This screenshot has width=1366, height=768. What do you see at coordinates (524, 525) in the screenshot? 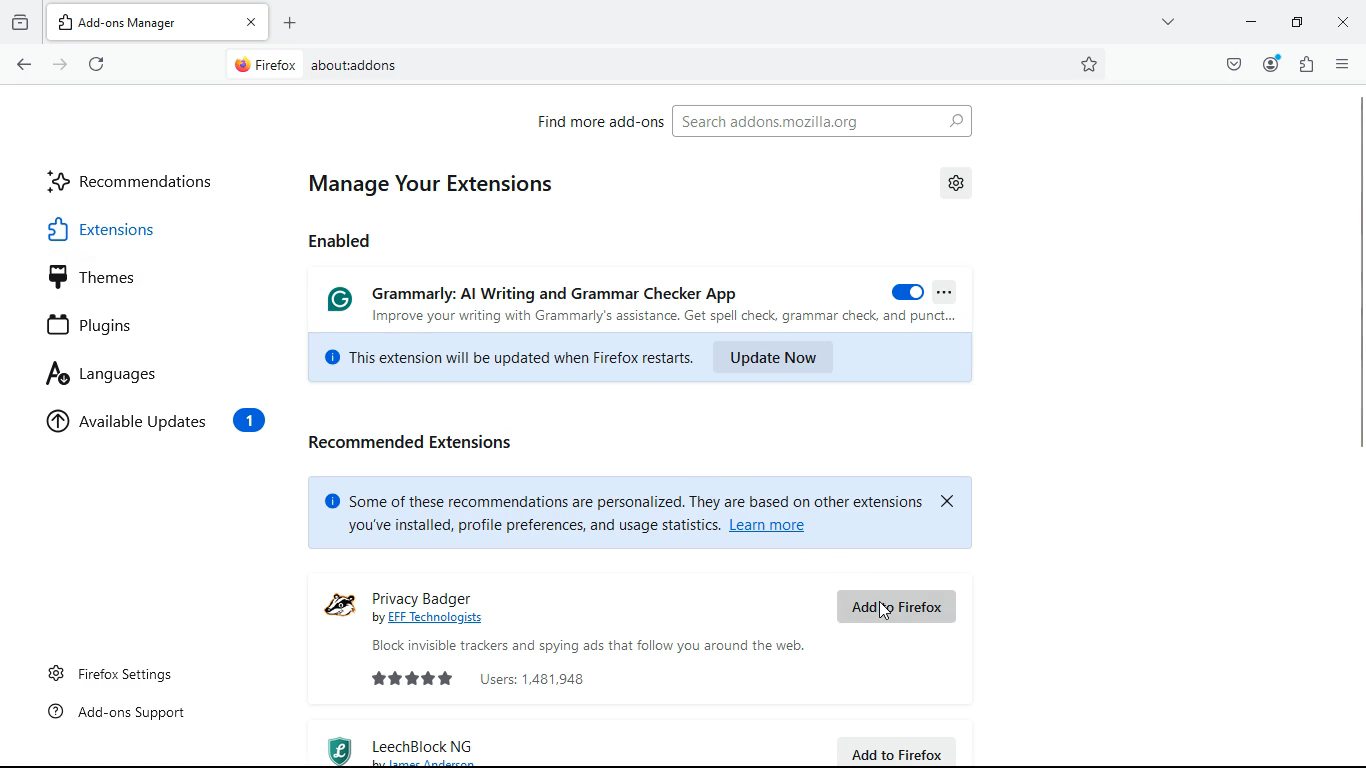
I see `you've installed, profile preferences, and usage statistics. |` at bounding box center [524, 525].